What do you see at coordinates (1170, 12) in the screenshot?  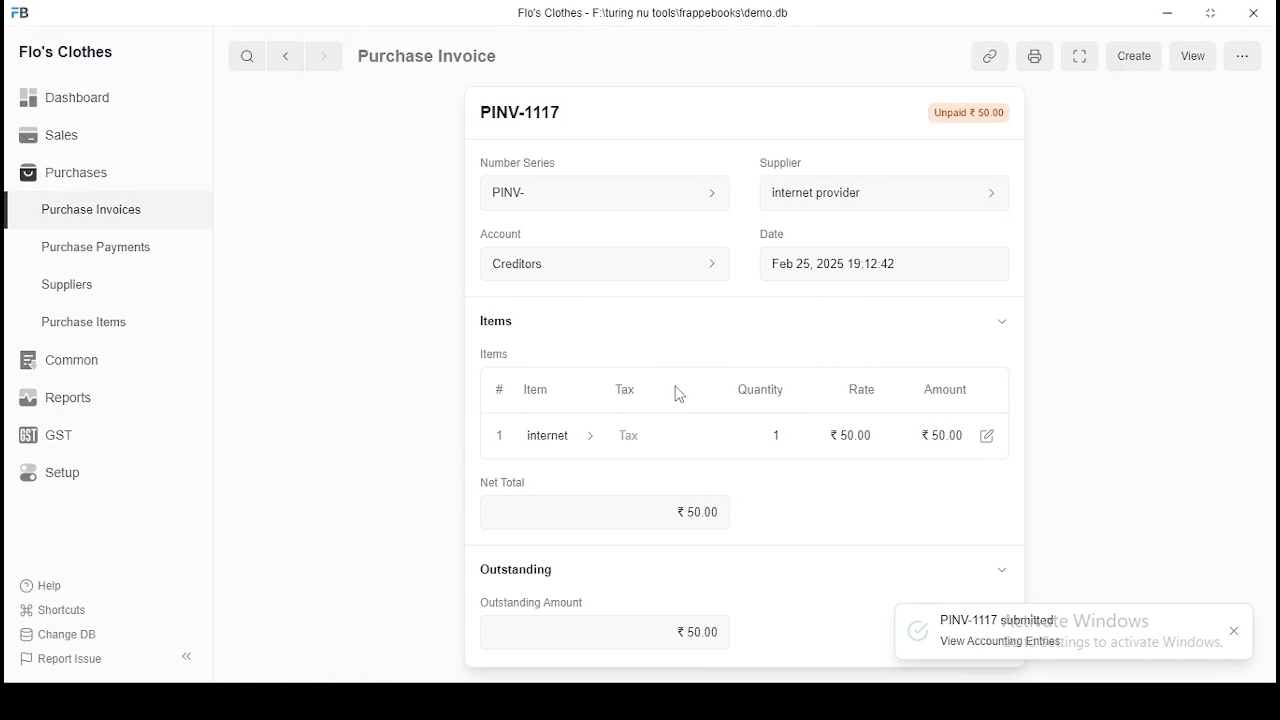 I see `minimize` at bounding box center [1170, 12].